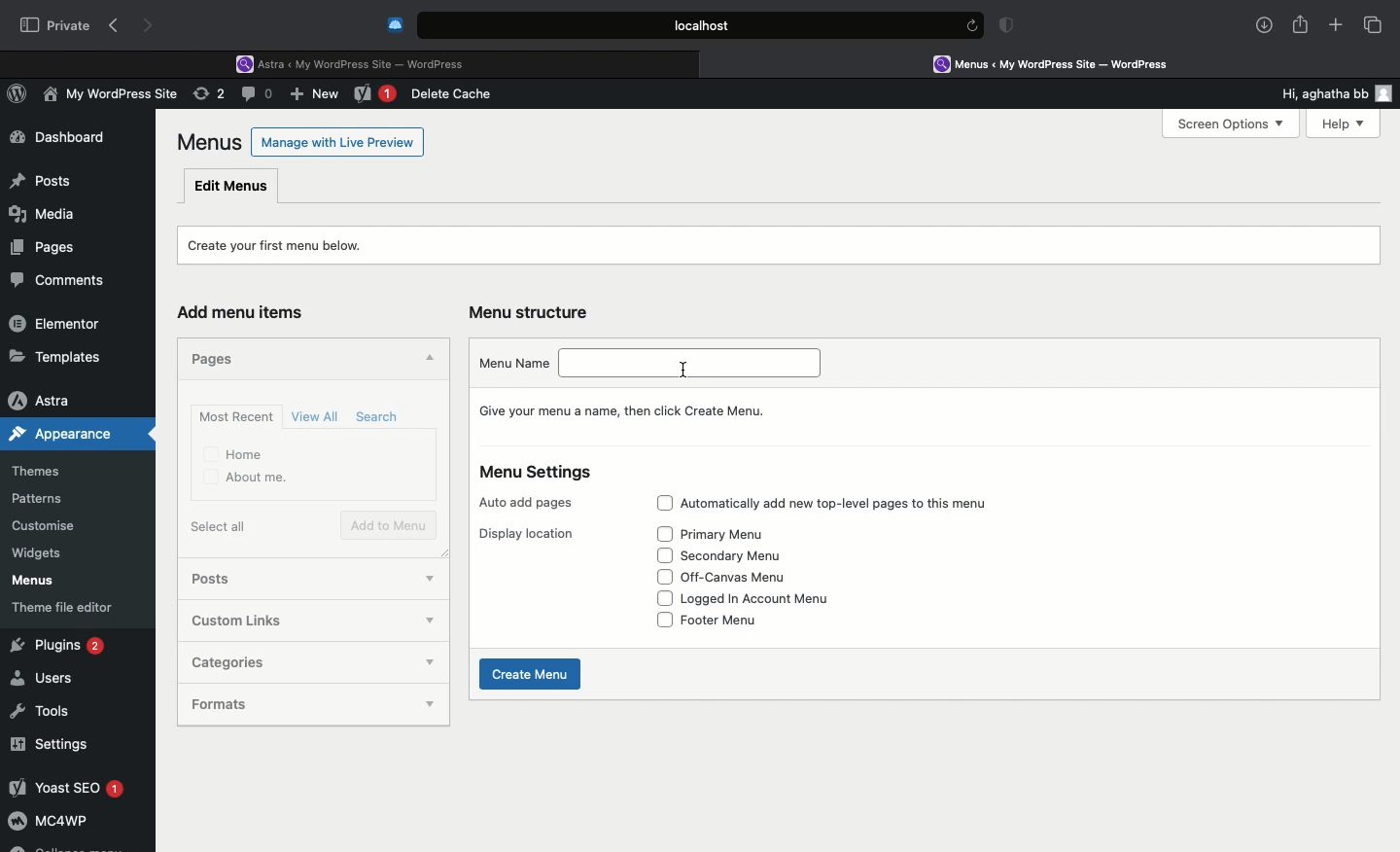 The height and width of the screenshot is (852, 1400). What do you see at coordinates (736, 579) in the screenshot?
I see `Off-canvas menu` at bounding box center [736, 579].